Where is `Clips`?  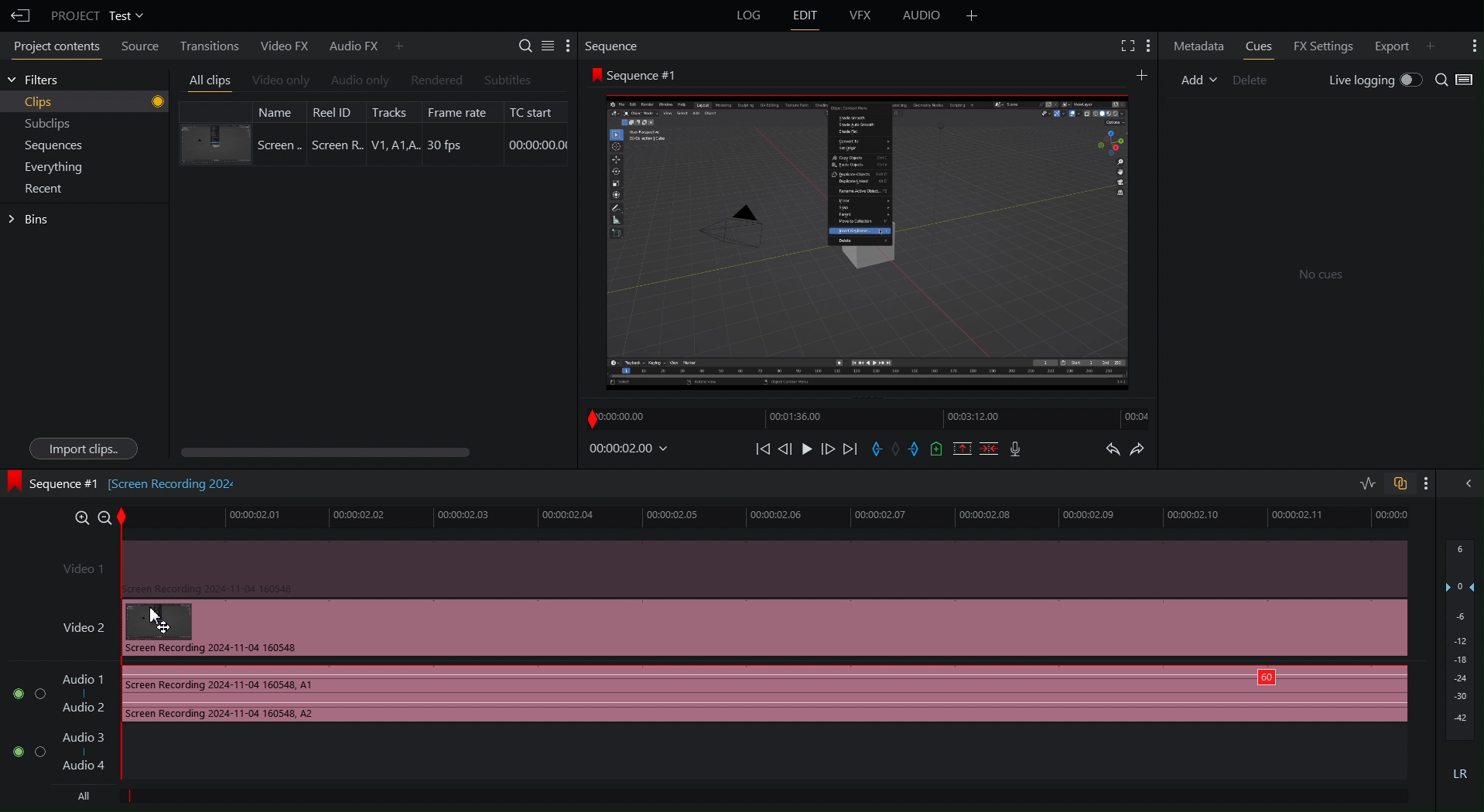 Clips is located at coordinates (86, 101).